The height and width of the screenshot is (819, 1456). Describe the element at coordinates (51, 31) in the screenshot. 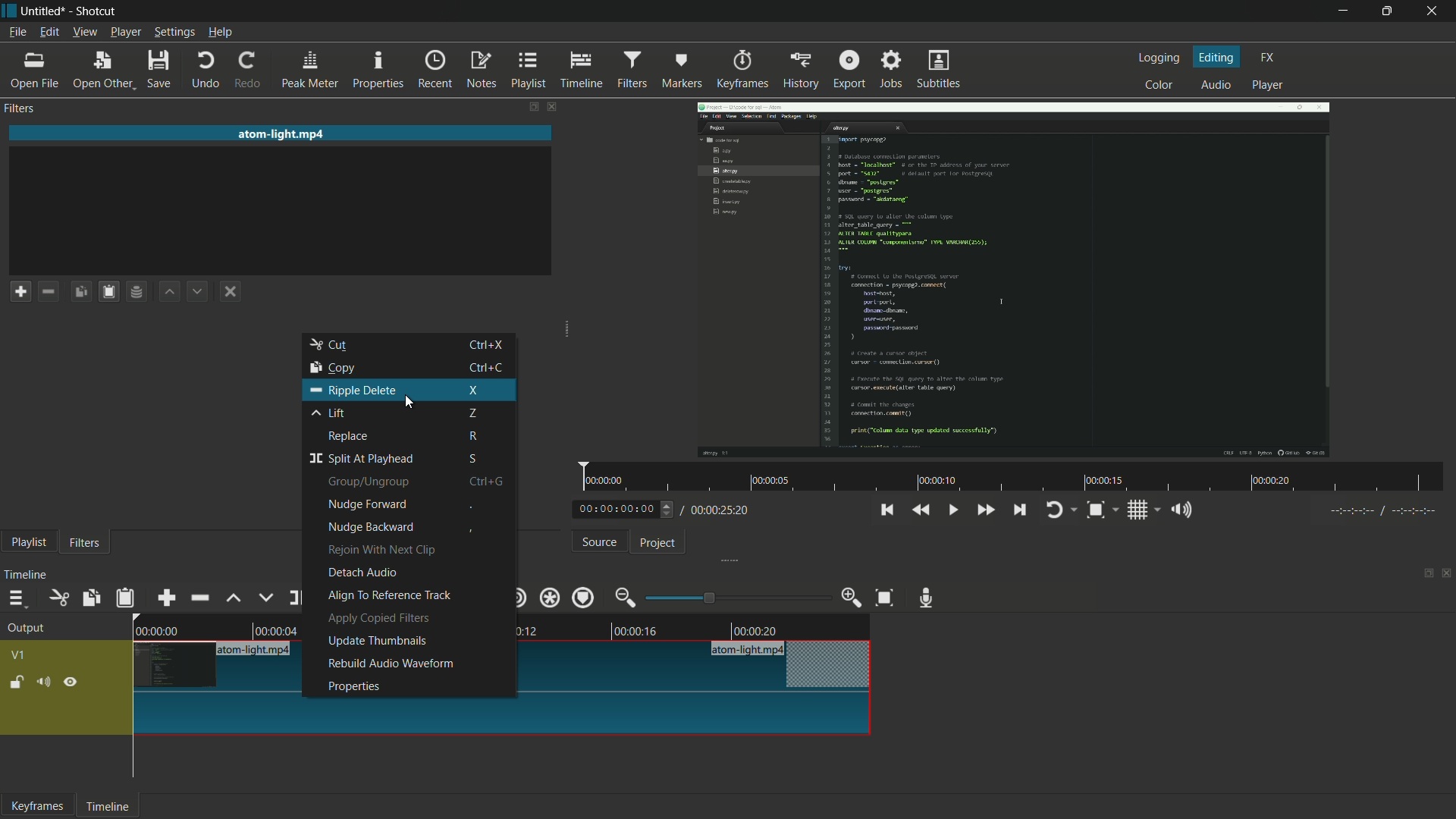

I see `edit menu` at that location.